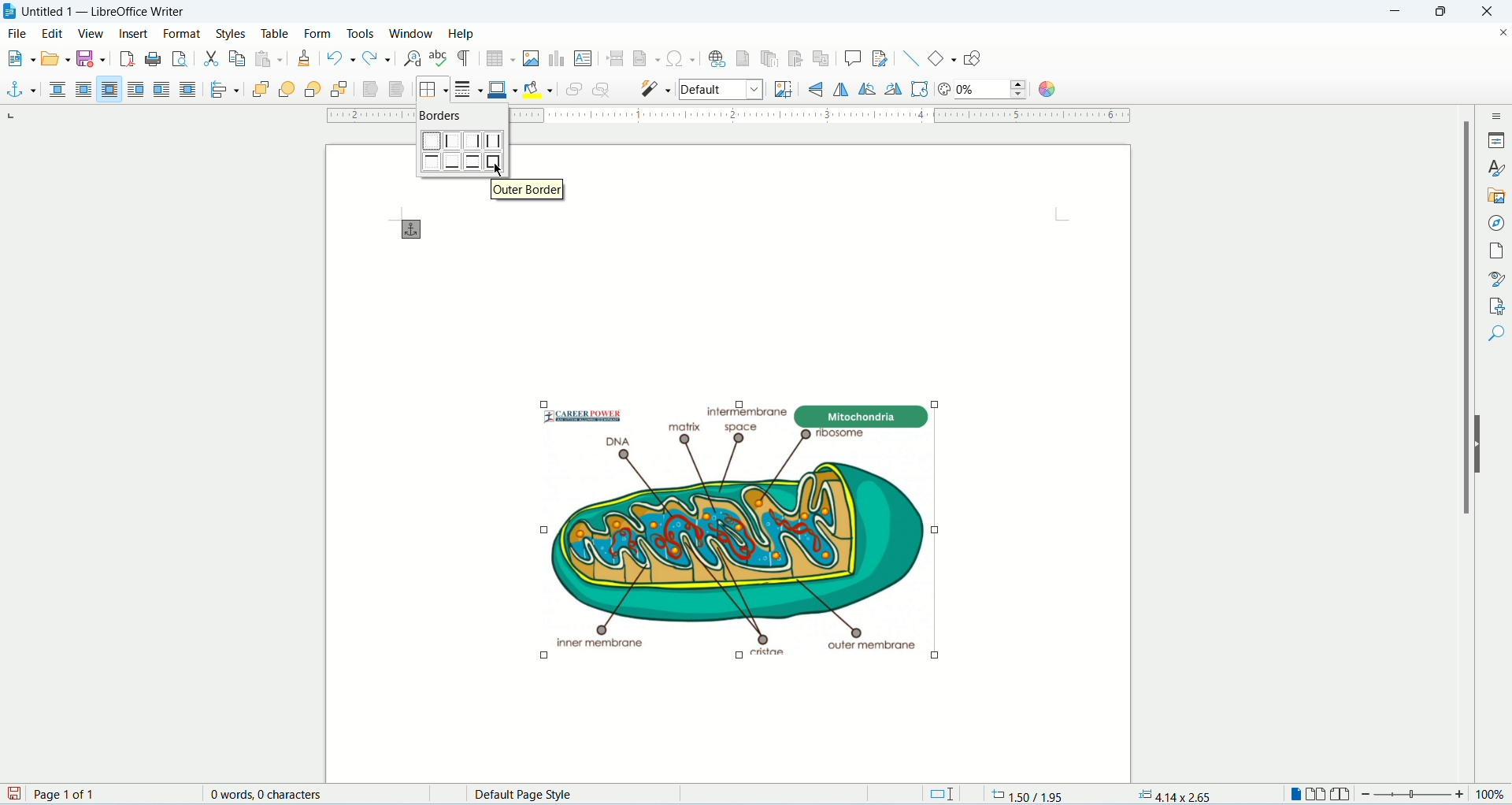 The image size is (1512, 805). Describe the element at coordinates (1503, 34) in the screenshot. I see `close document` at that location.